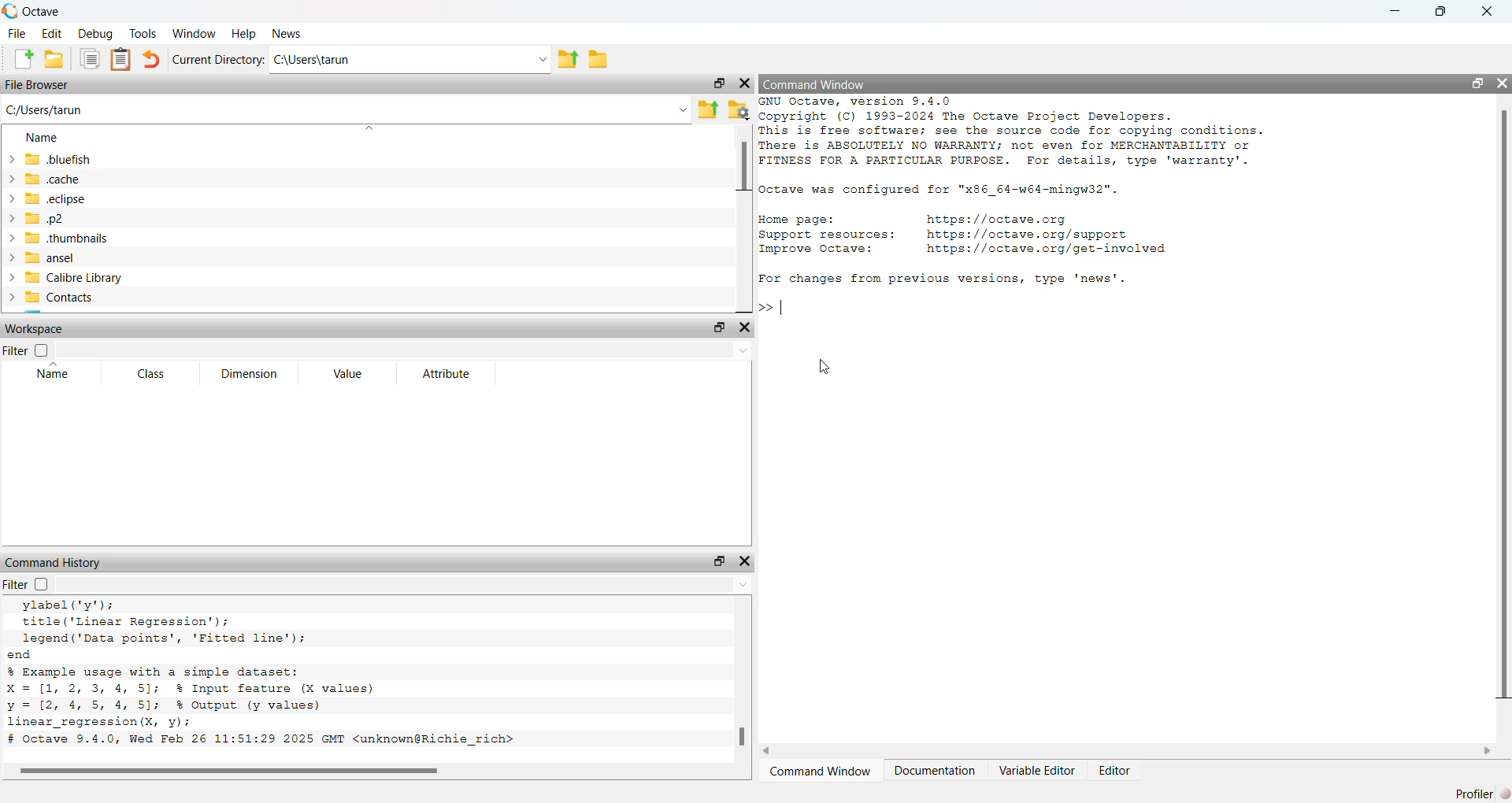  I want to click on calibre library, so click(132, 278).